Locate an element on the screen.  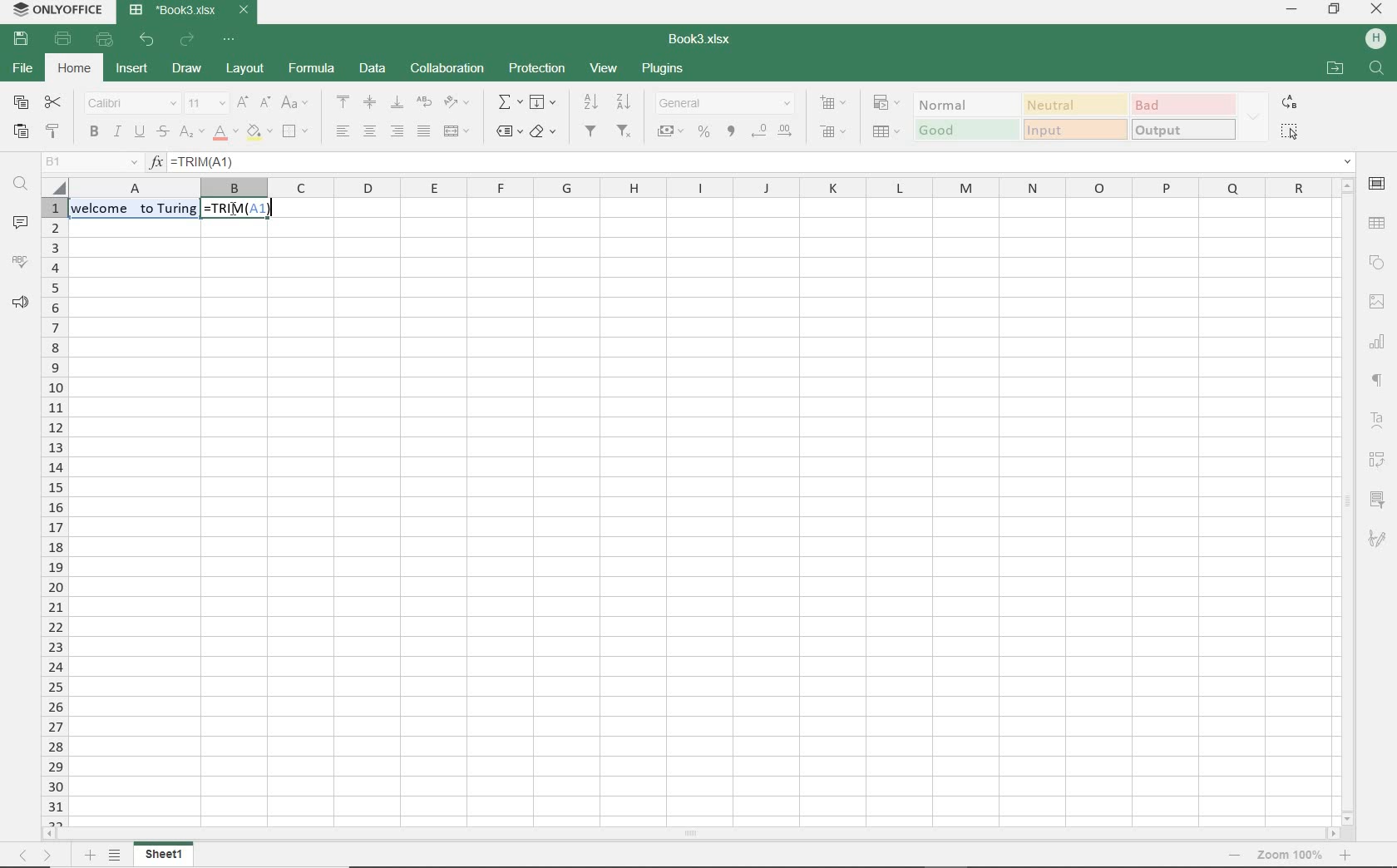
customize quick access toolbar is located at coordinates (230, 40).